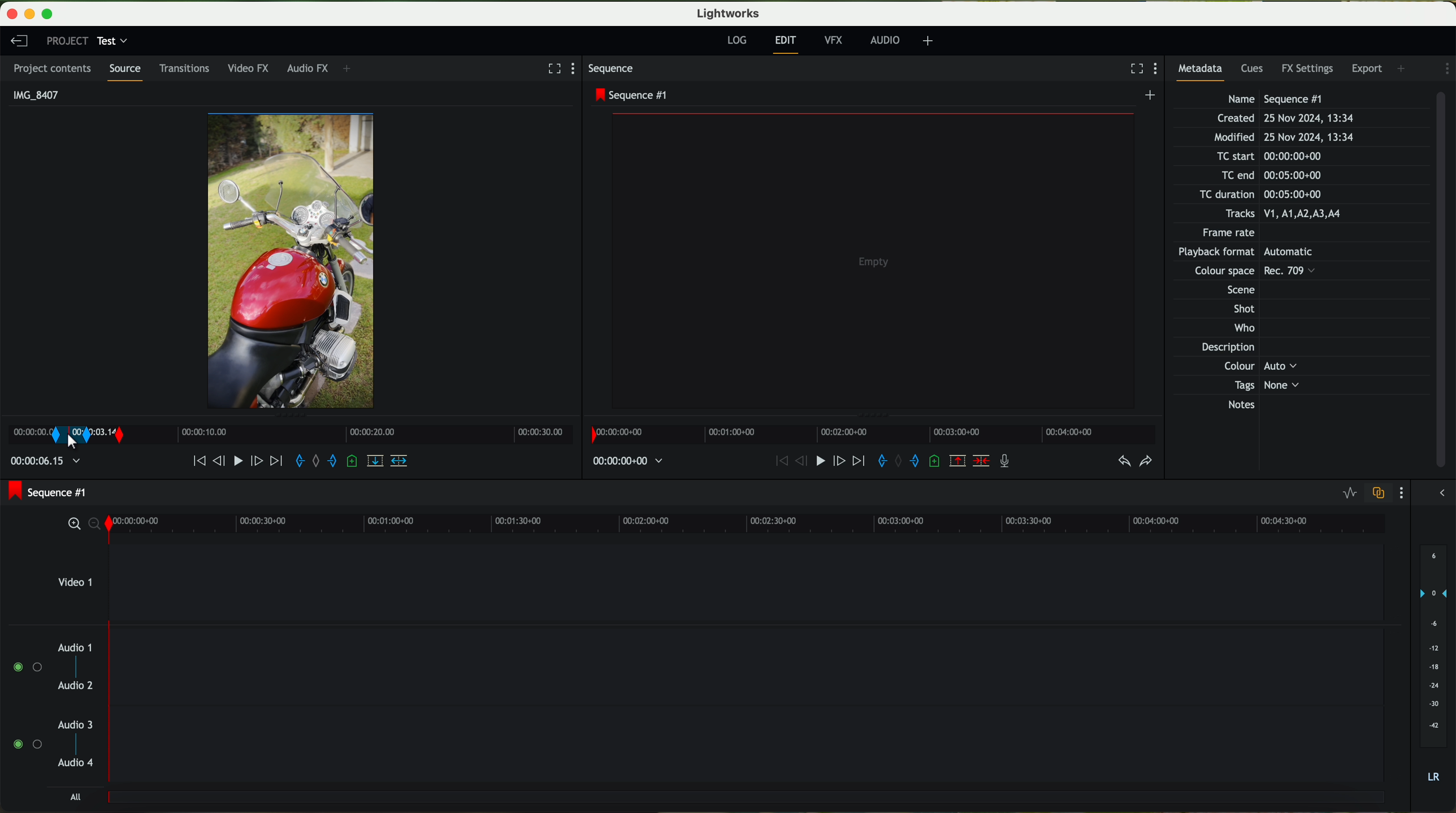  I want to click on audio output level (dB), so click(1431, 663).